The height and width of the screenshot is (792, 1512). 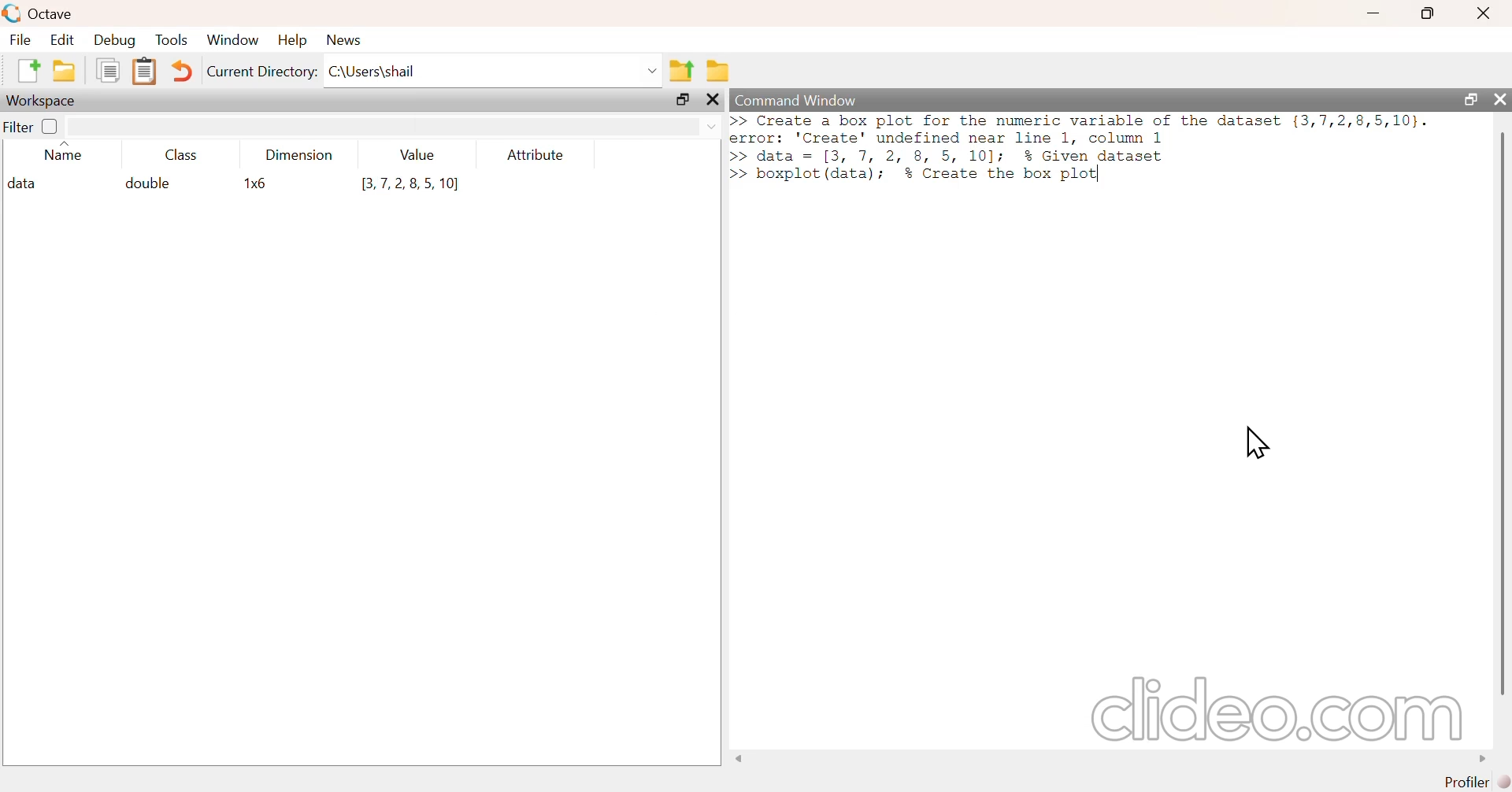 I want to click on paste, so click(x=146, y=69).